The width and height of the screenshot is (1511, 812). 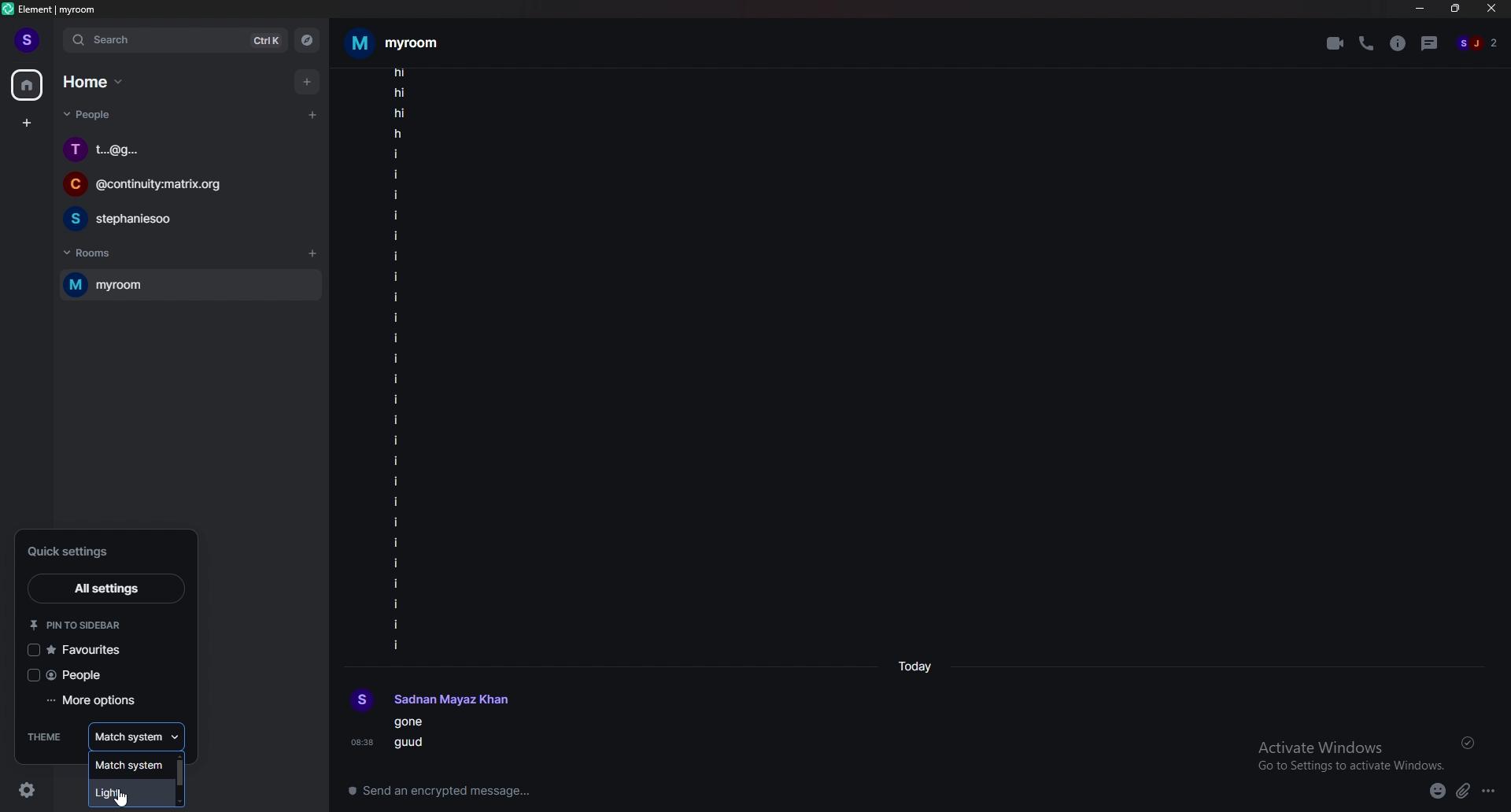 What do you see at coordinates (1367, 44) in the screenshot?
I see `voice call` at bounding box center [1367, 44].